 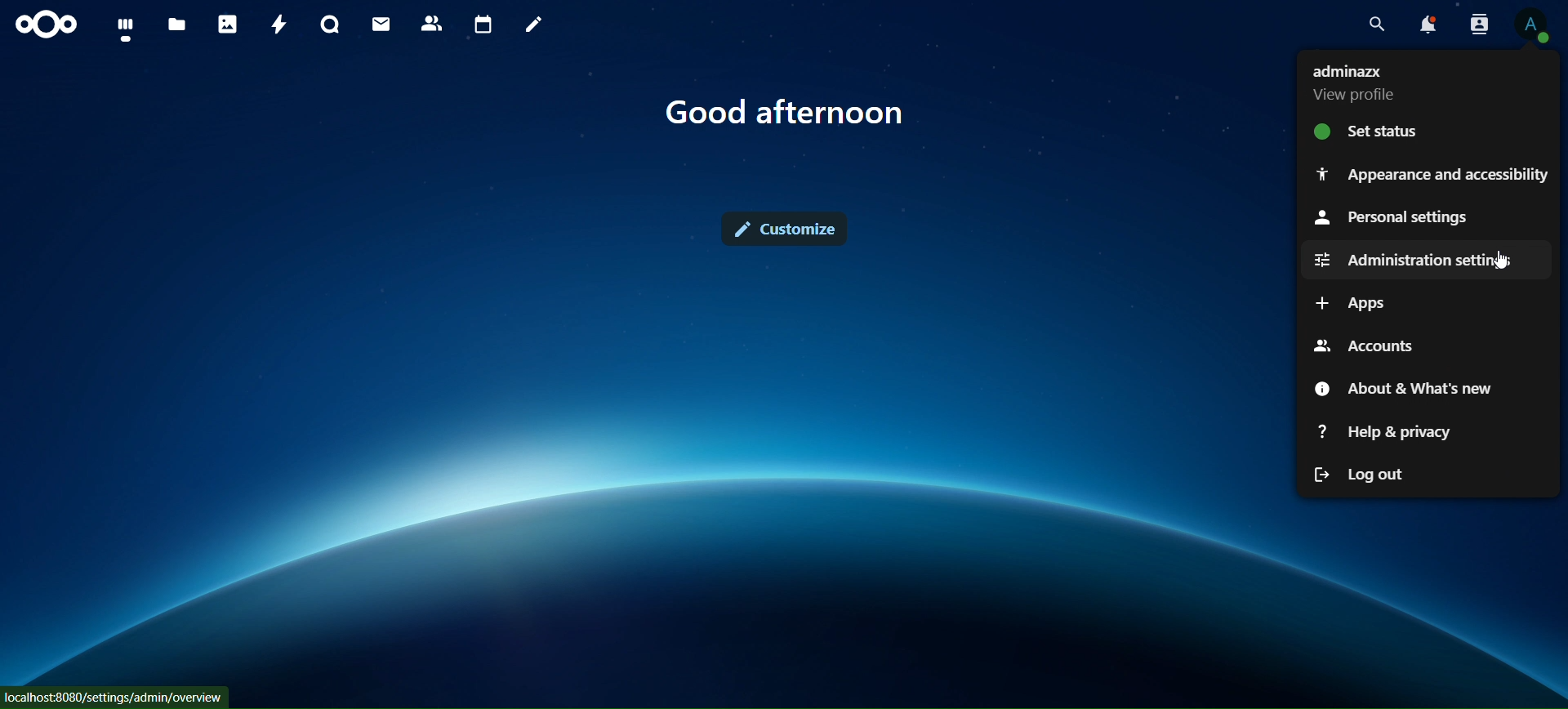 What do you see at coordinates (1361, 345) in the screenshot?
I see `accounts` at bounding box center [1361, 345].